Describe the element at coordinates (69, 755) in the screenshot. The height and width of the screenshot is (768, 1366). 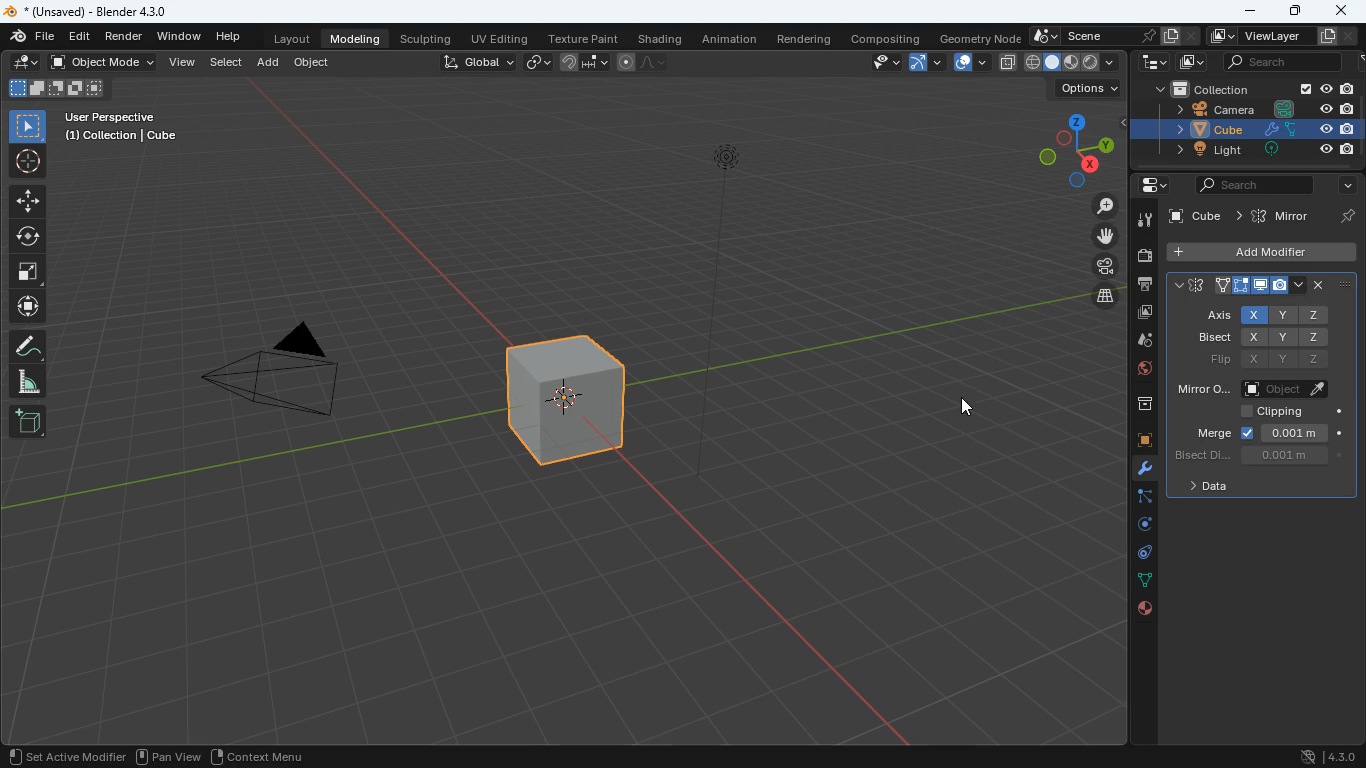
I see `` at that location.